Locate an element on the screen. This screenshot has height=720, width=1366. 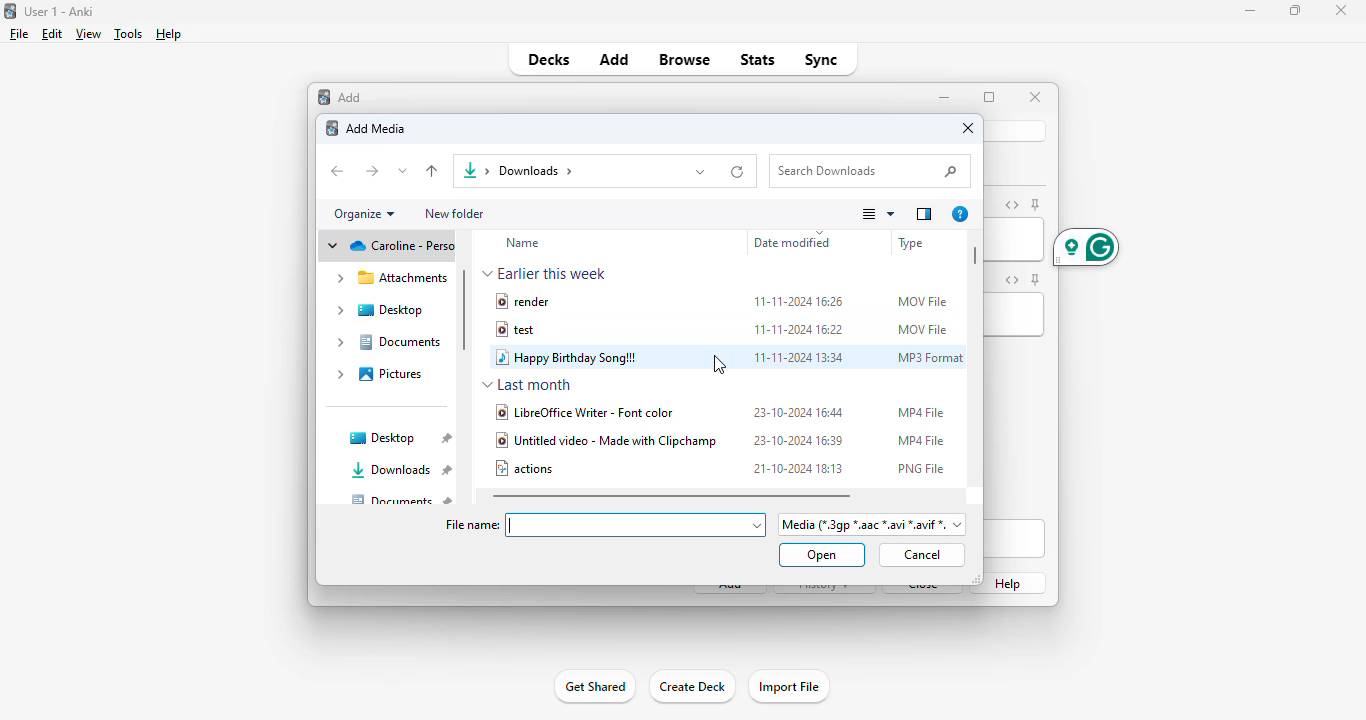
minimize is located at coordinates (944, 98).